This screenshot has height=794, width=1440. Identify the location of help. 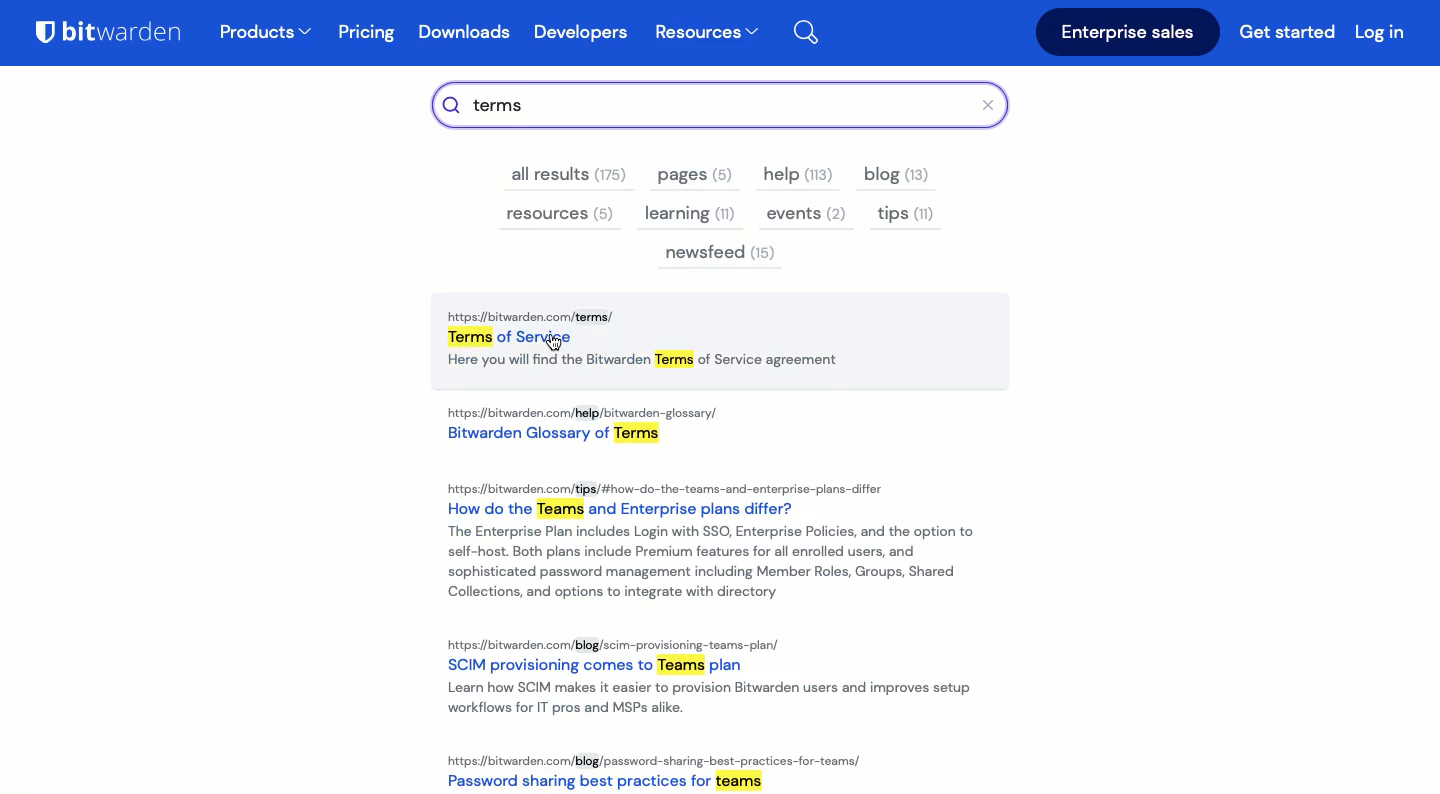
(798, 175).